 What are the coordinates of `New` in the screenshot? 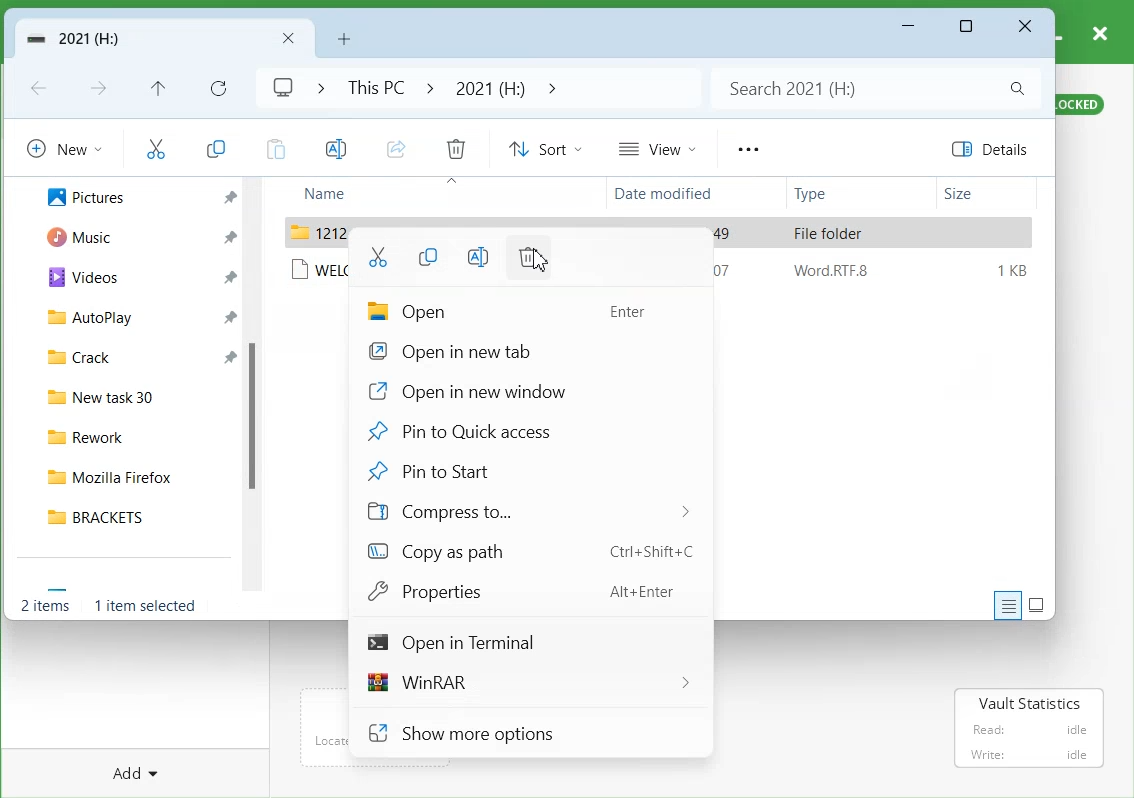 It's located at (64, 147).